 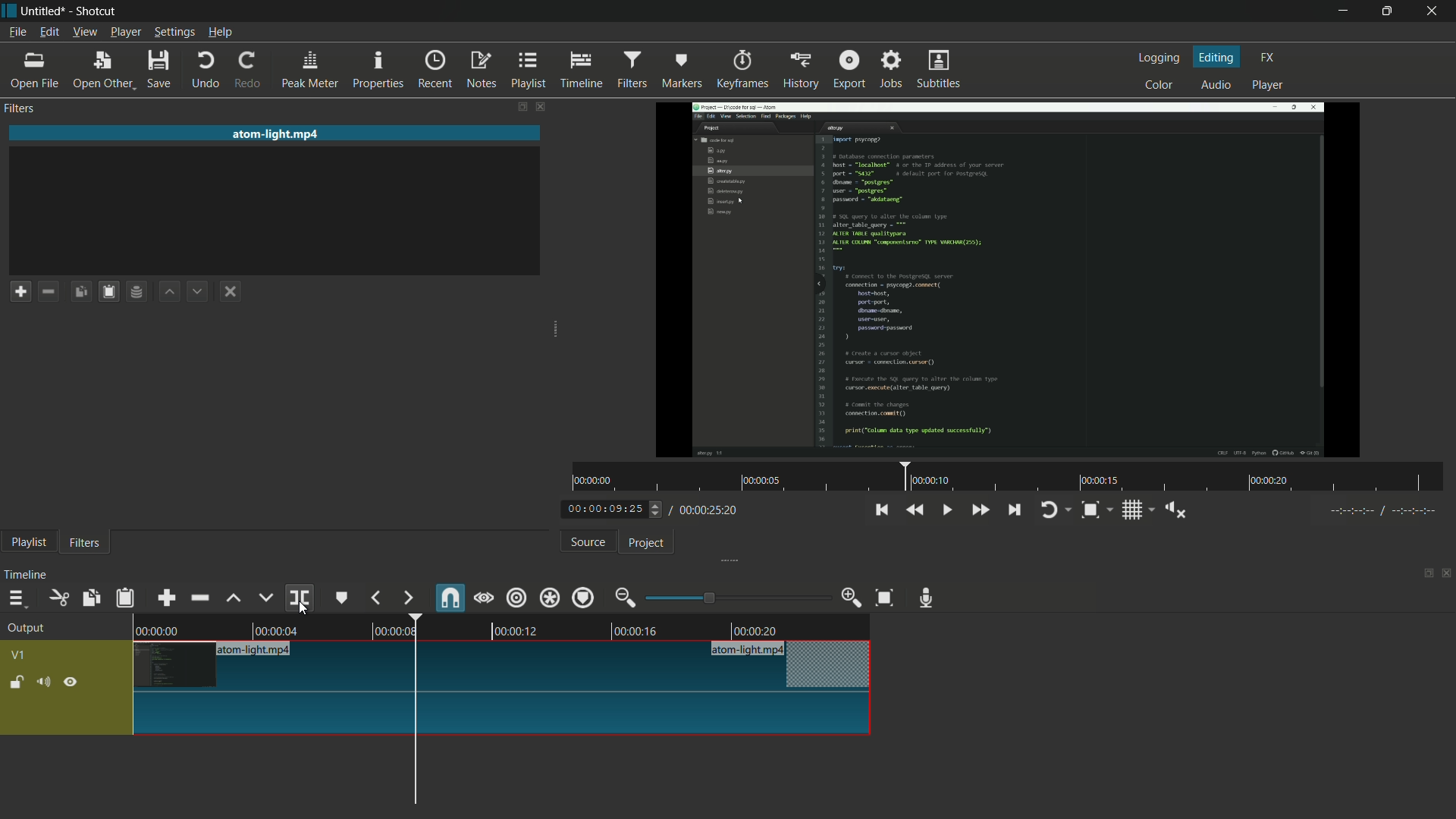 What do you see at coordinates (1341, 11) in the screenshot?
I see `minimize` at bounding box center [1341, 11].